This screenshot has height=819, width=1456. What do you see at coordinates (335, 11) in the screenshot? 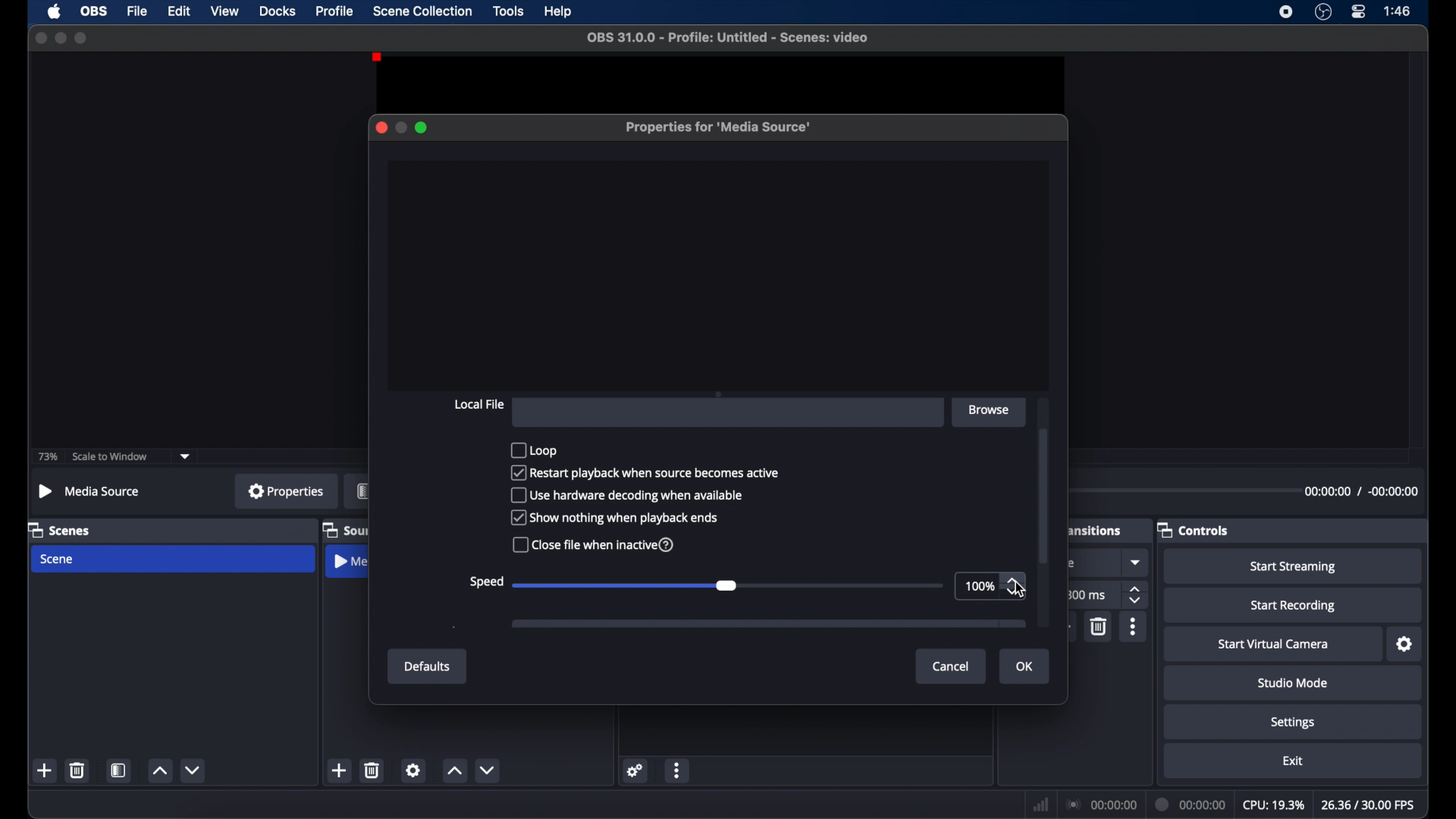
I see `profile` at bounding box center [335, 11].